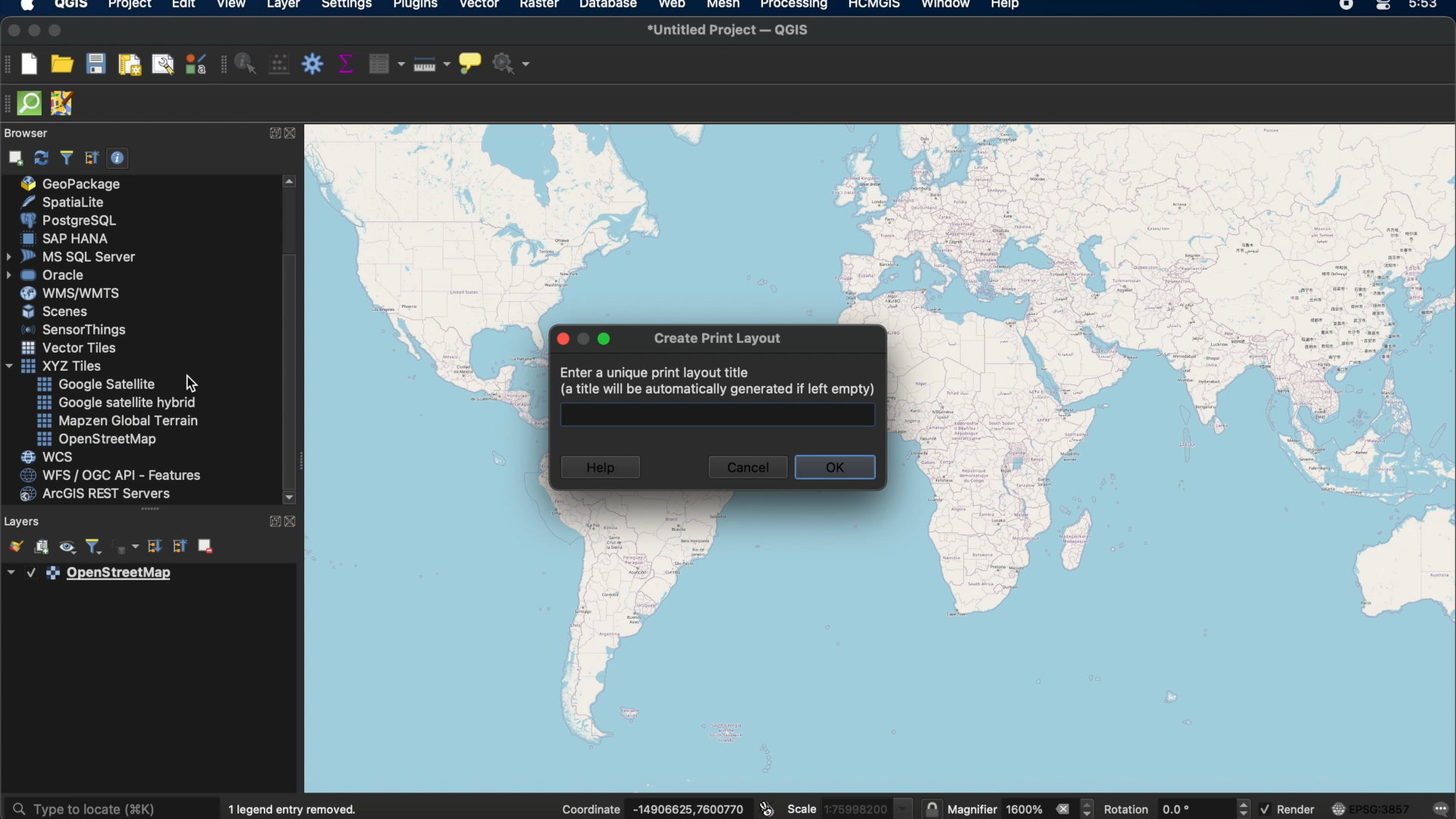 The width and height of the screenshot is (1456, 819). I want to click on type to locate, so click(112, 805).